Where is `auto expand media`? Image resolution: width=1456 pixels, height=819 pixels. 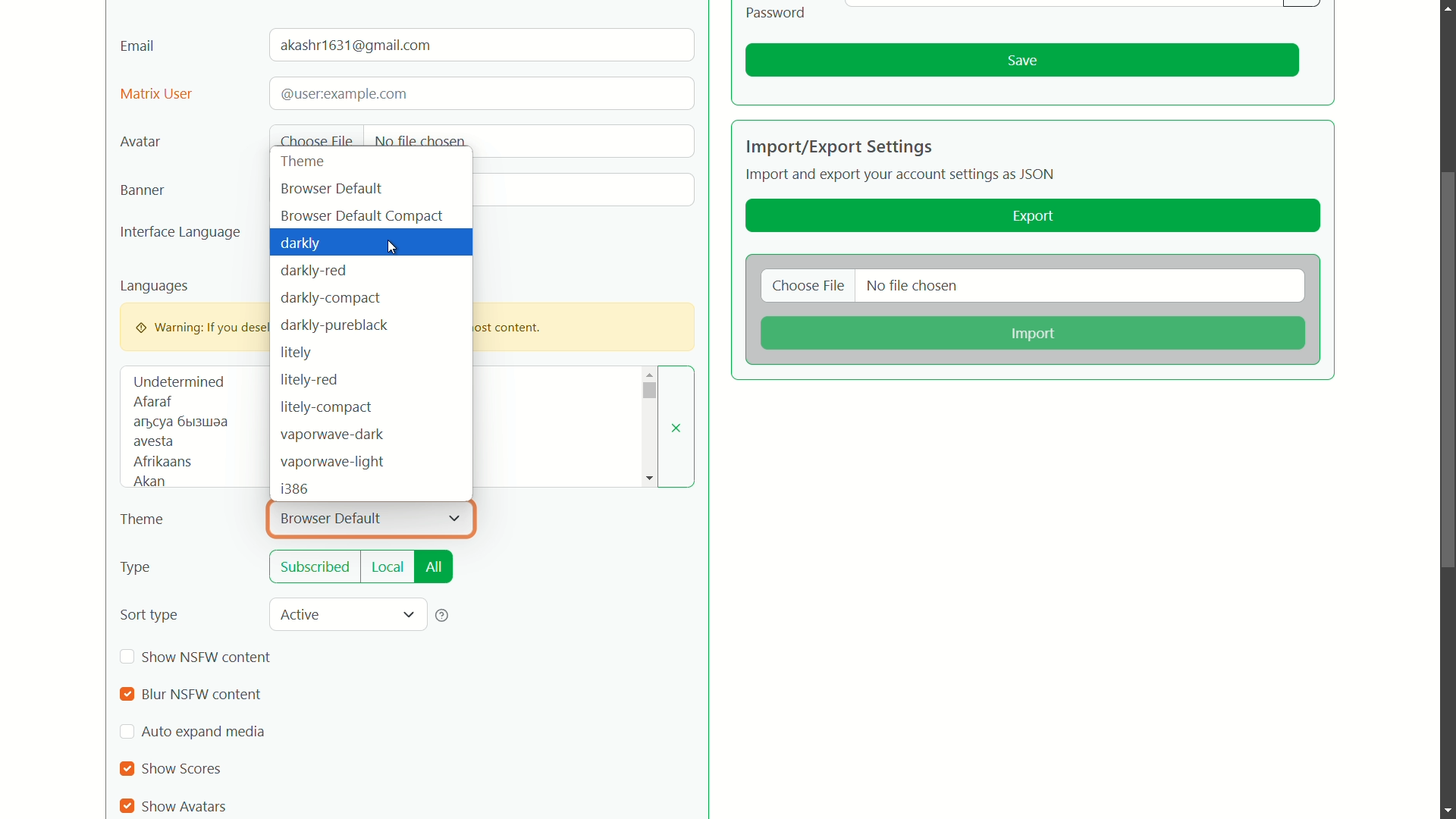 auto expand media is located at coordinates (204, 732).